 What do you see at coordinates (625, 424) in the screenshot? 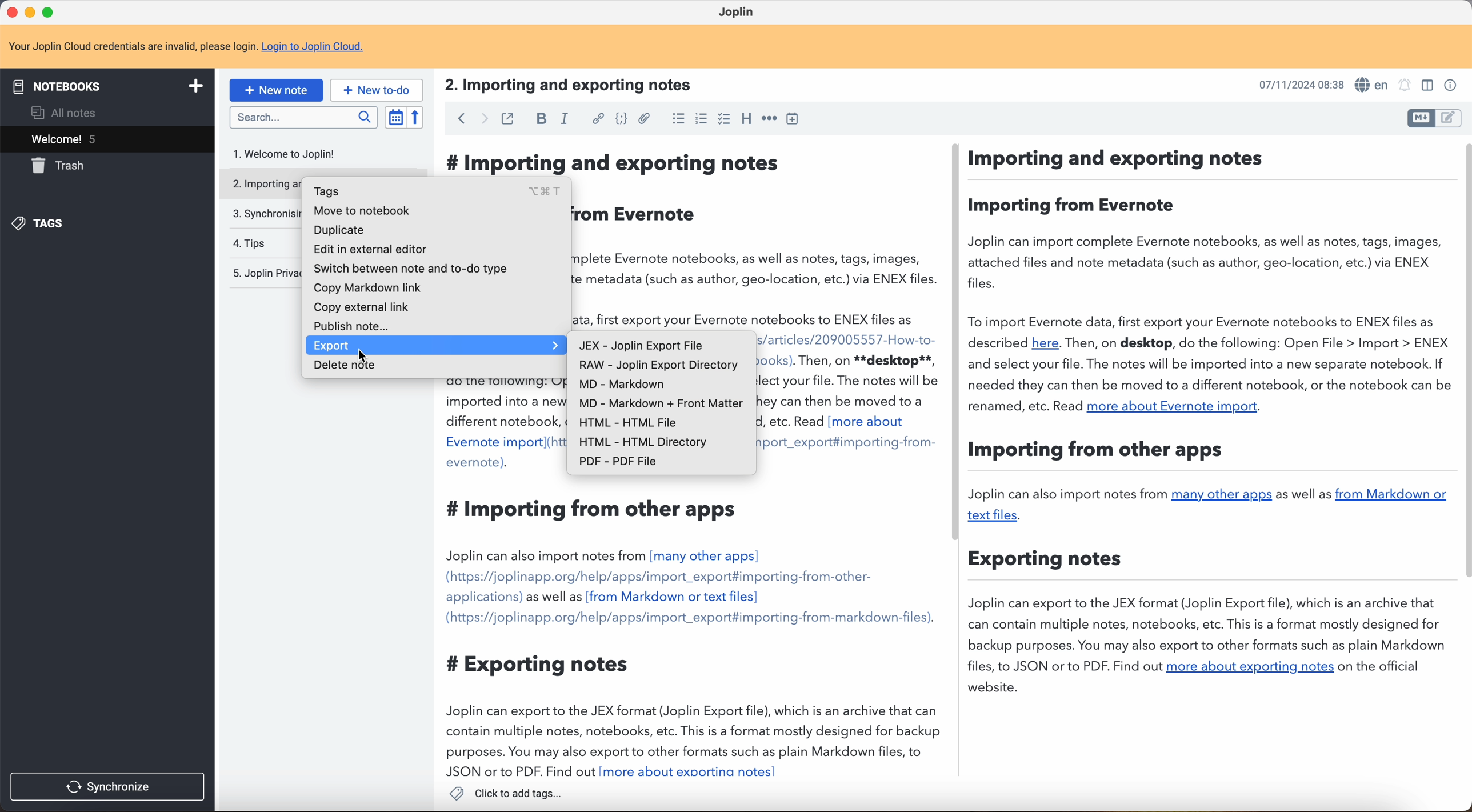
I see `HTML - HTML file` at bounding box center [625, 424].